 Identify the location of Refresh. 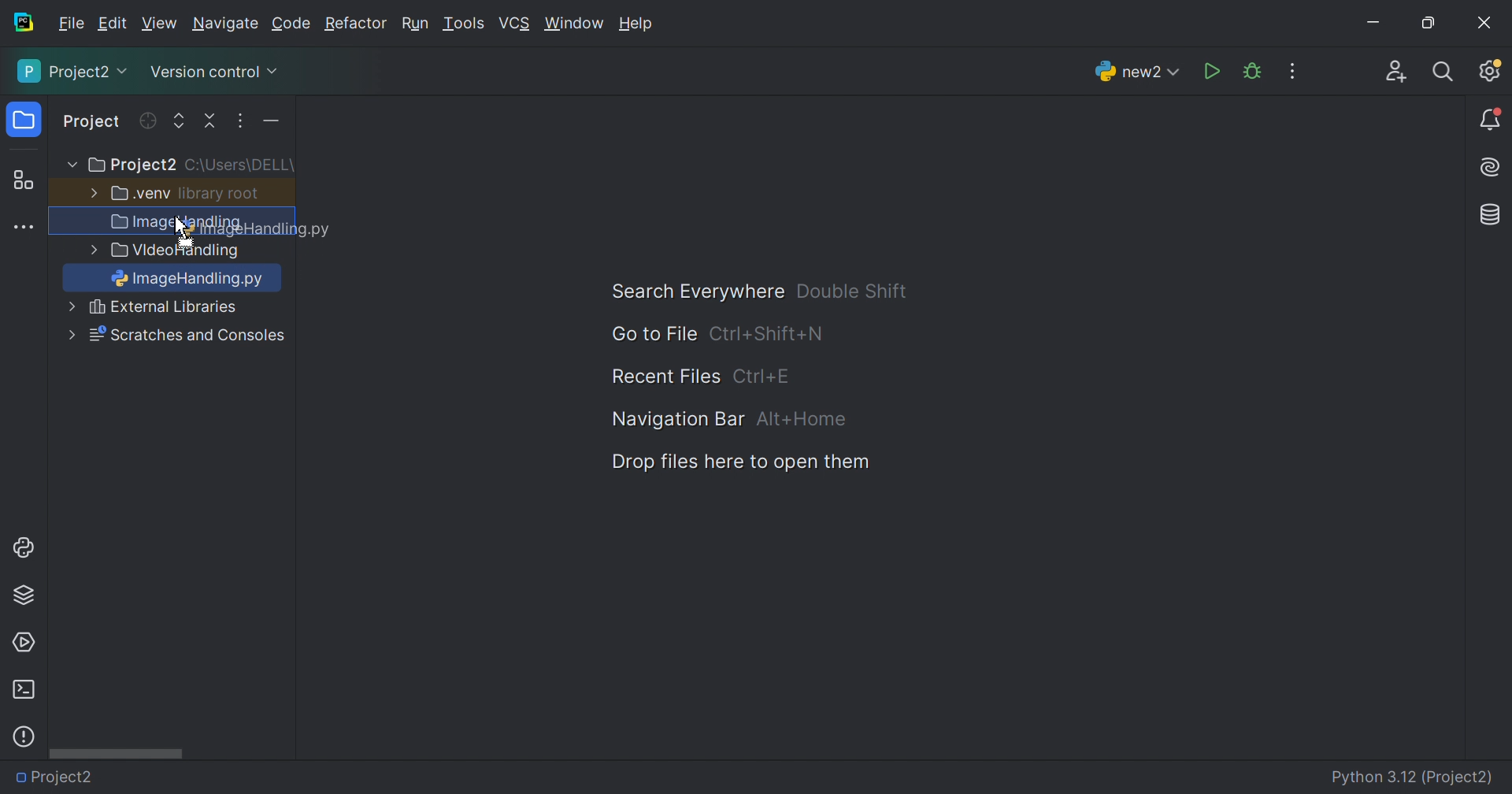
(146, 121).